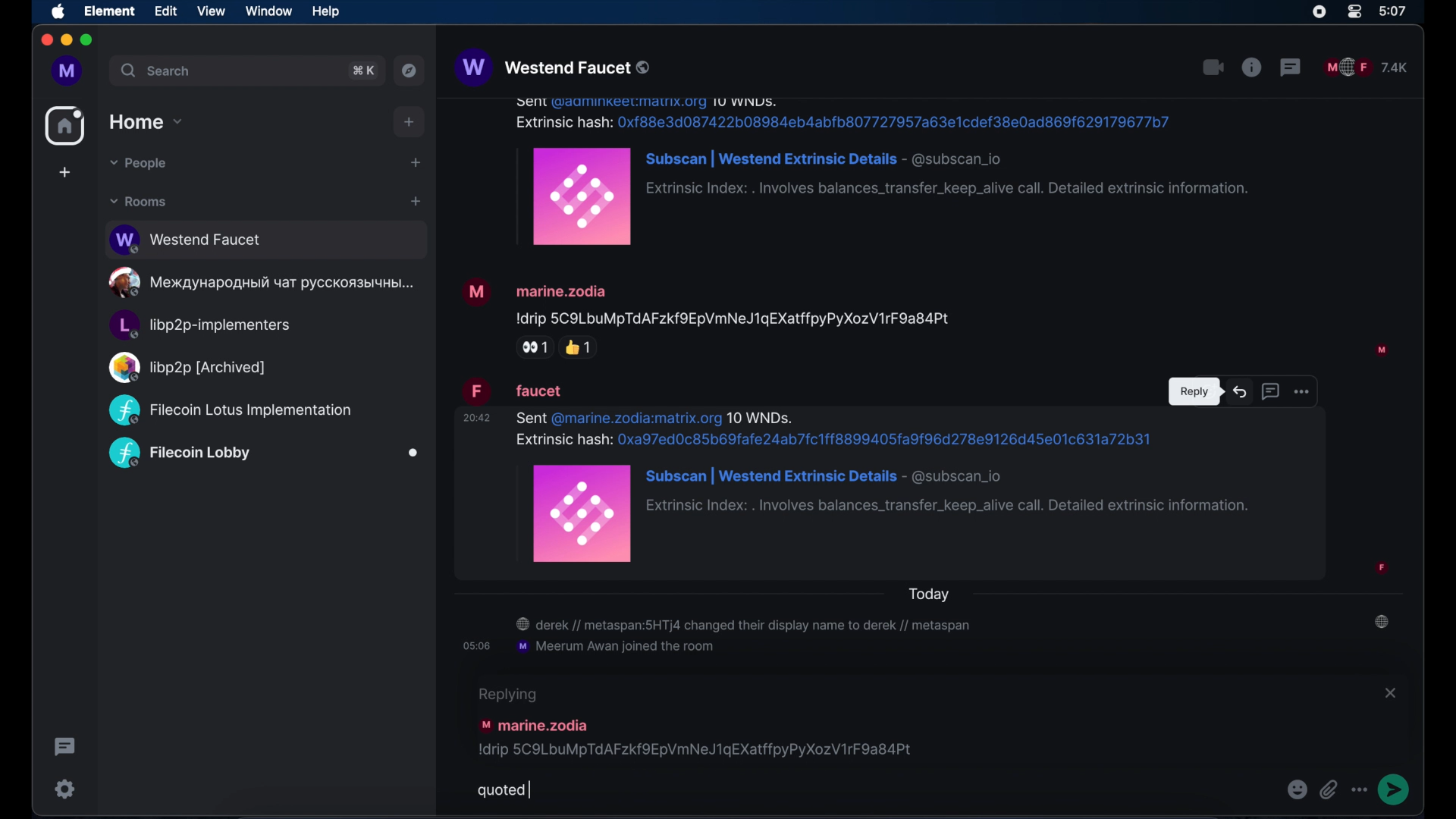 The width and height of the screenshot is (1456, 819). I want to click on thread activity, so click(64, 747).